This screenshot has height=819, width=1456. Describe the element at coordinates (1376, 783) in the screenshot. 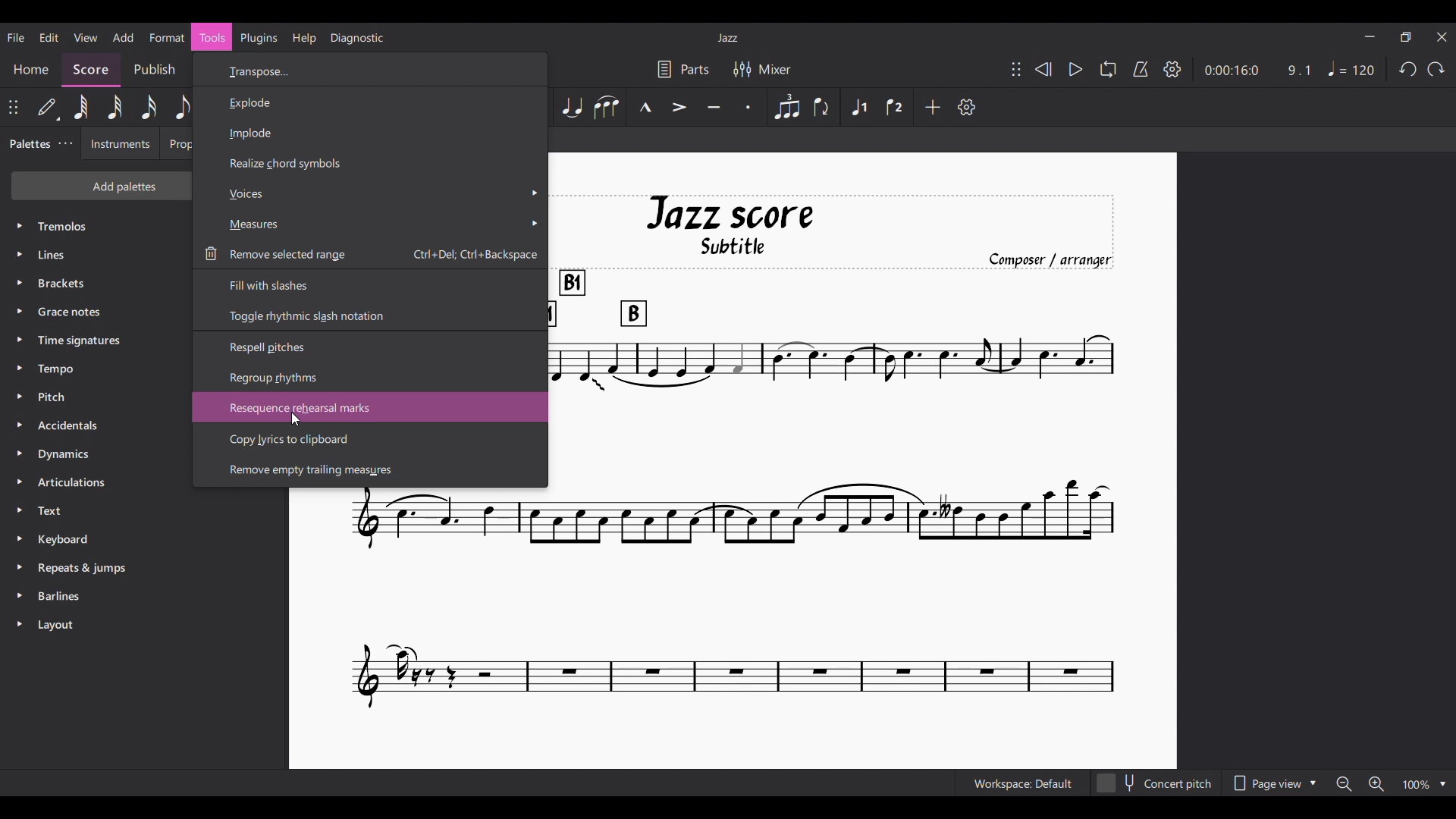

I see `Zoom in` at that location.